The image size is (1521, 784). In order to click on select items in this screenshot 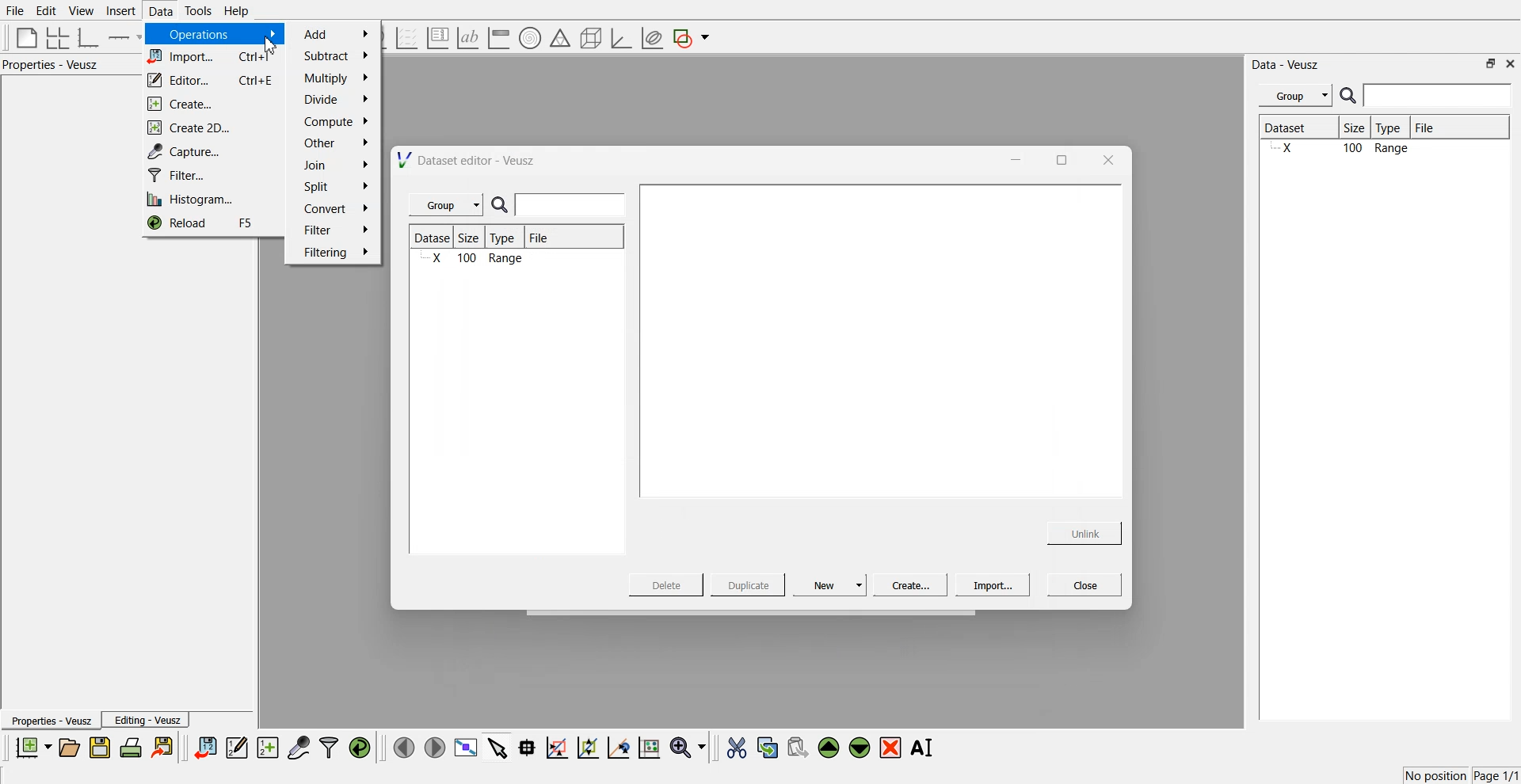, I will do `click(497, 747)`.